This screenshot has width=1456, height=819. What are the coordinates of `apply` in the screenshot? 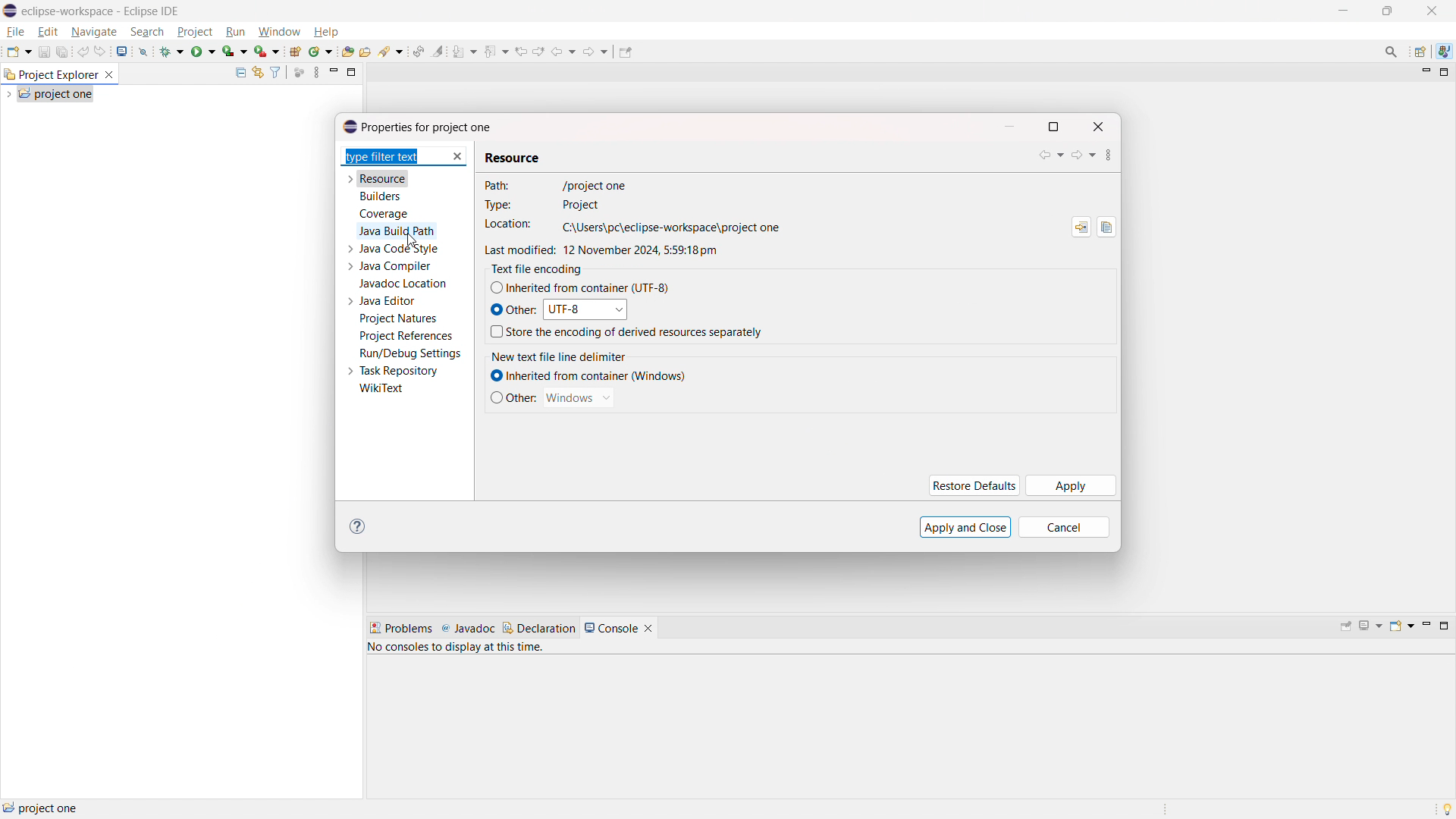 It's located at (1072, 485).